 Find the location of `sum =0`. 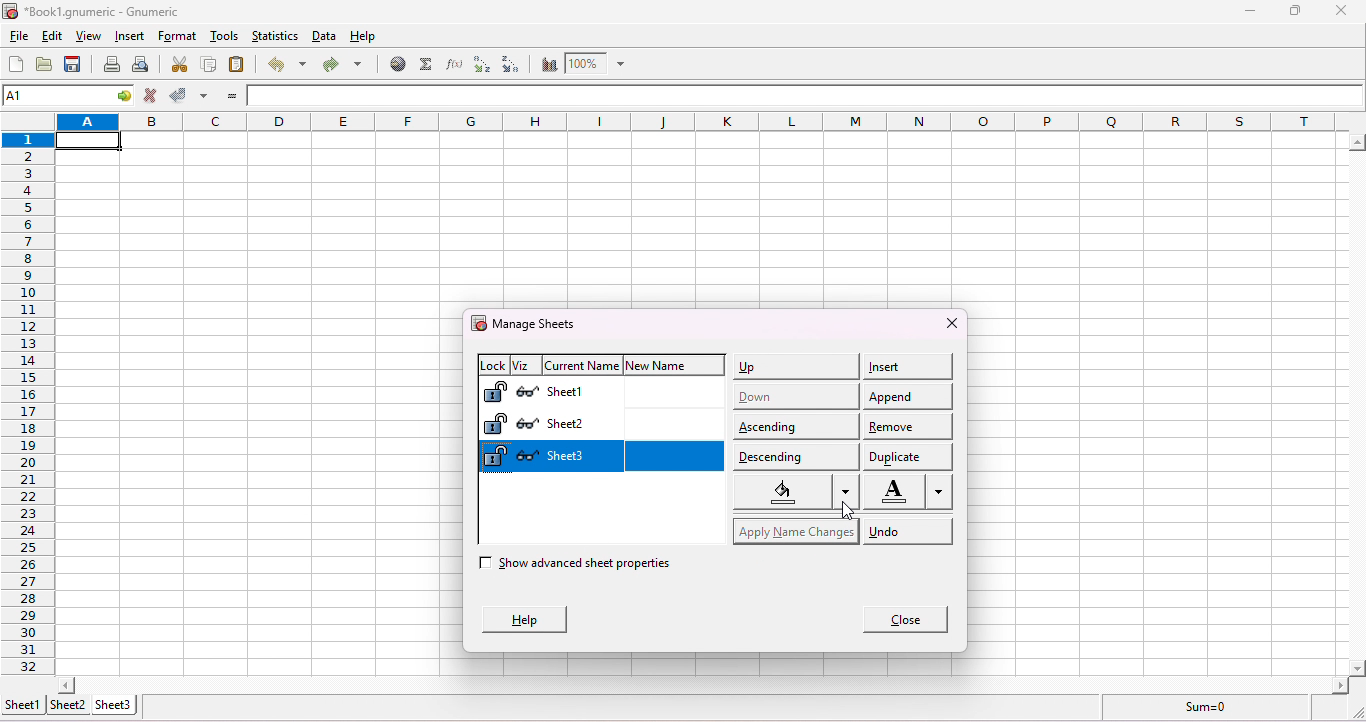

sum =0 is located at coordinates (1221, 710).